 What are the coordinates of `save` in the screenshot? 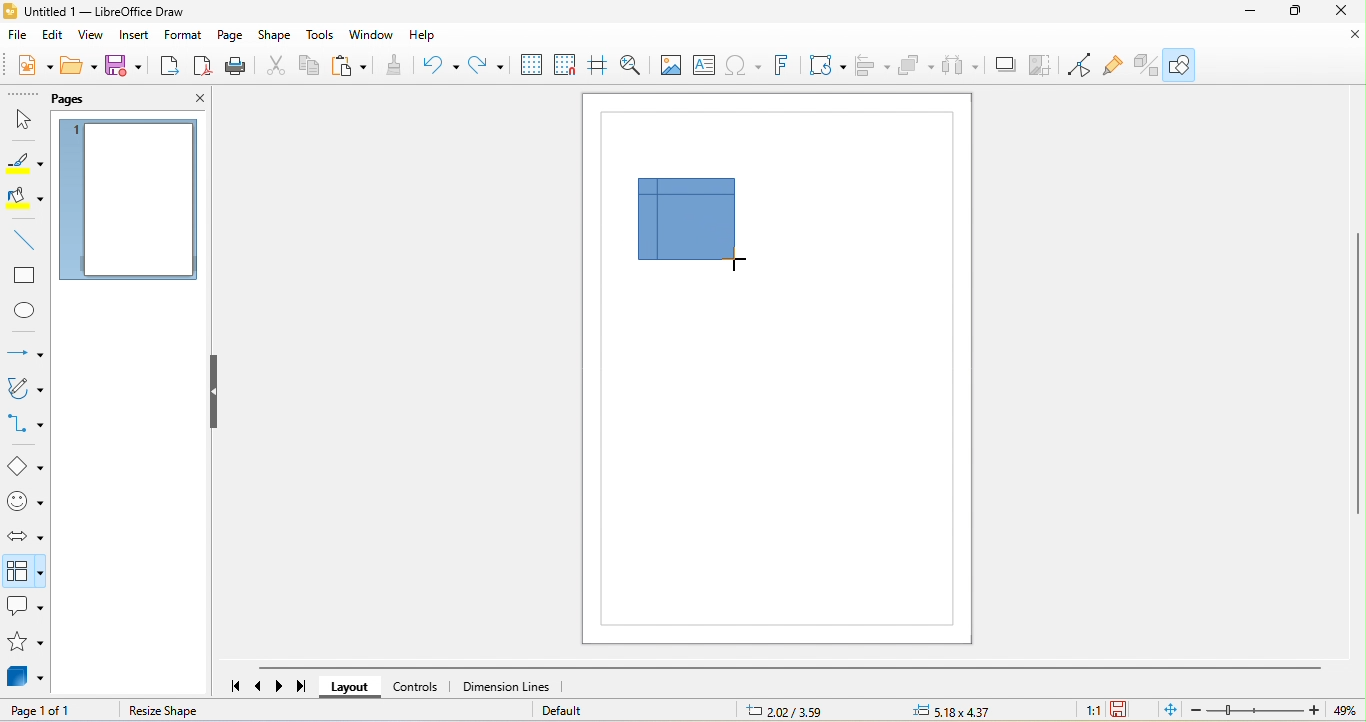 It's located at (126, 67).